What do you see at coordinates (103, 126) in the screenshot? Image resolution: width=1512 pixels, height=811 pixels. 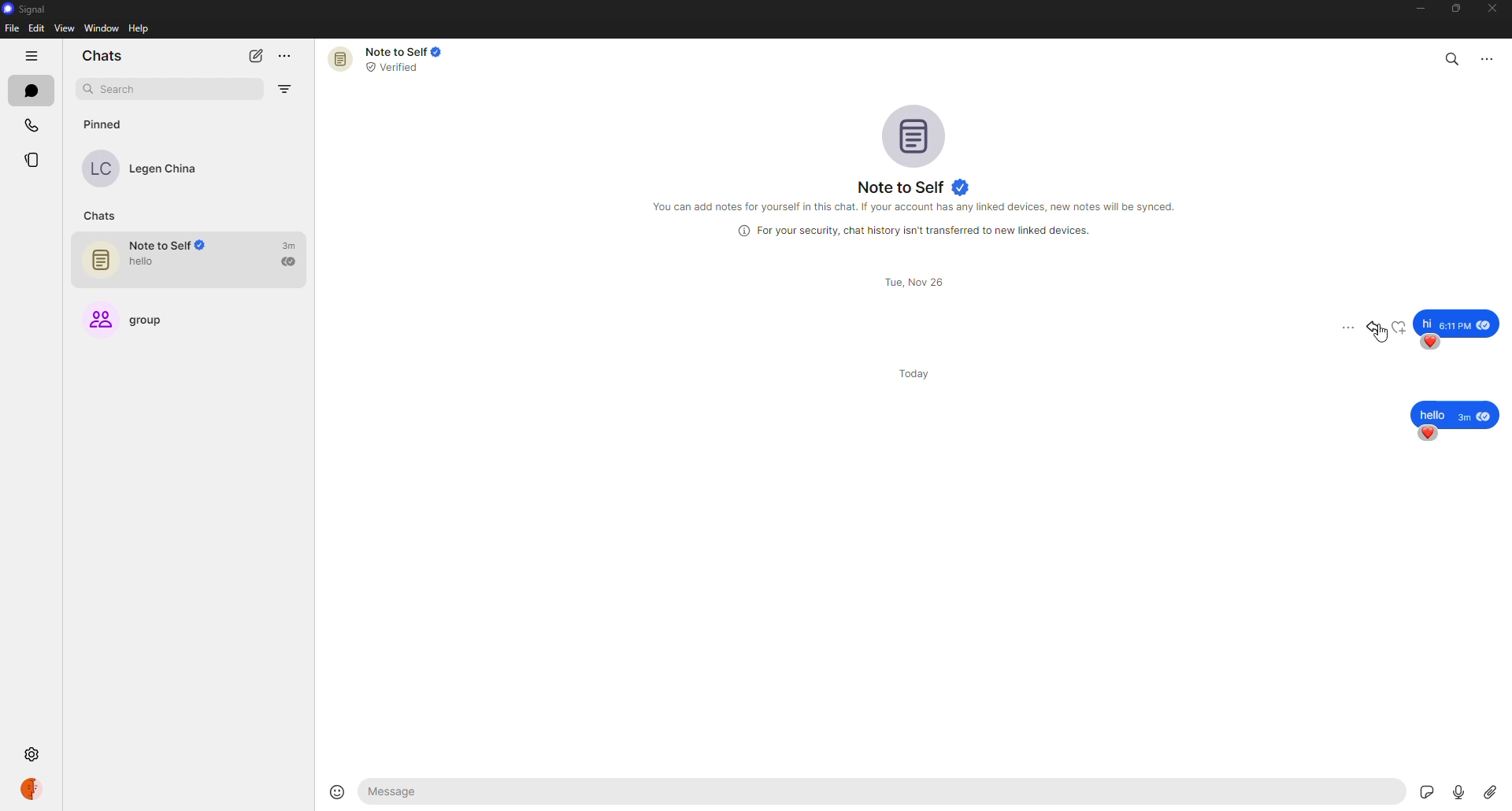 I see `pinned` at bounding box center [103, 126].